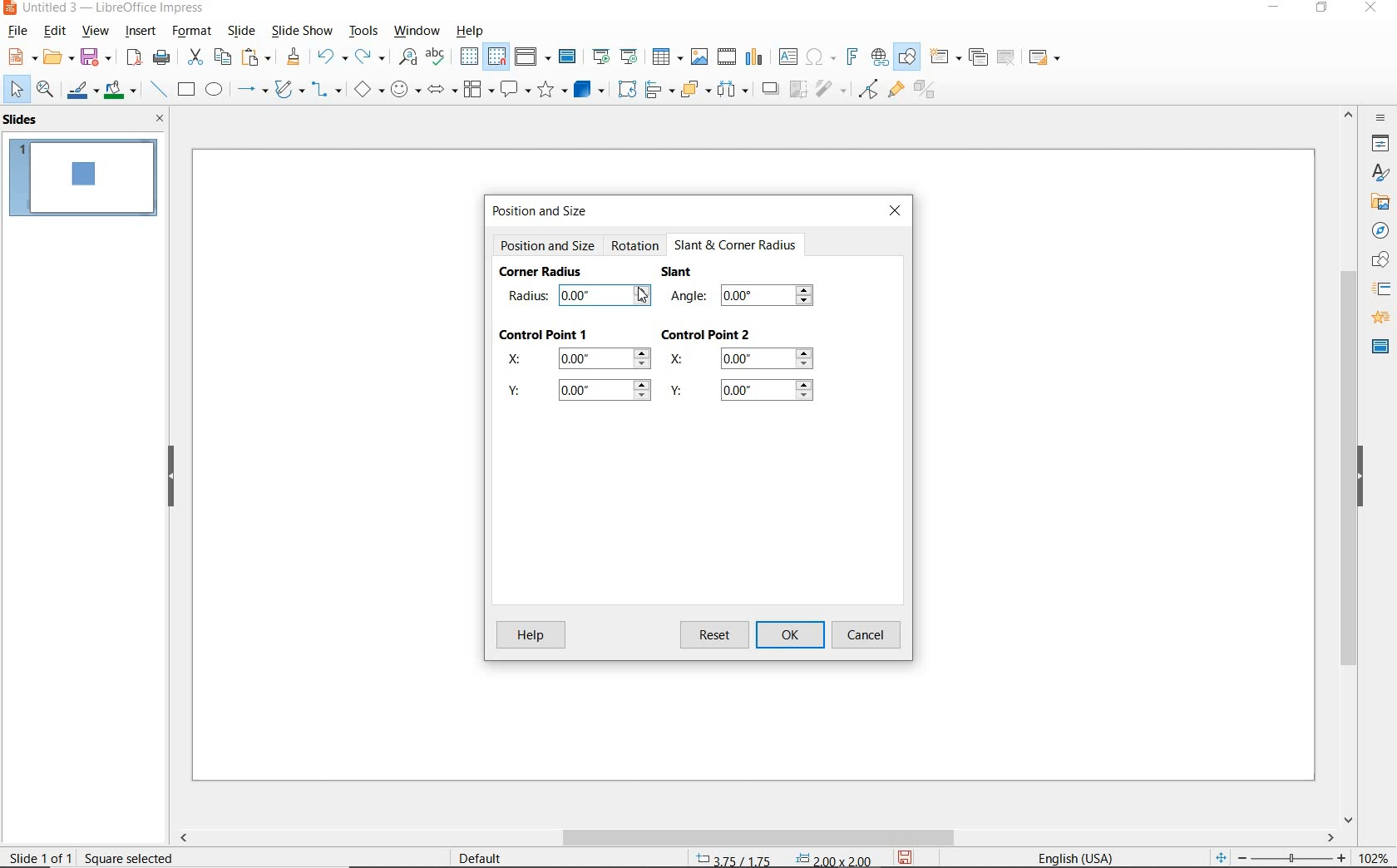  I want to click on SLANT & CORNER RADIUS, so click(735, 245).